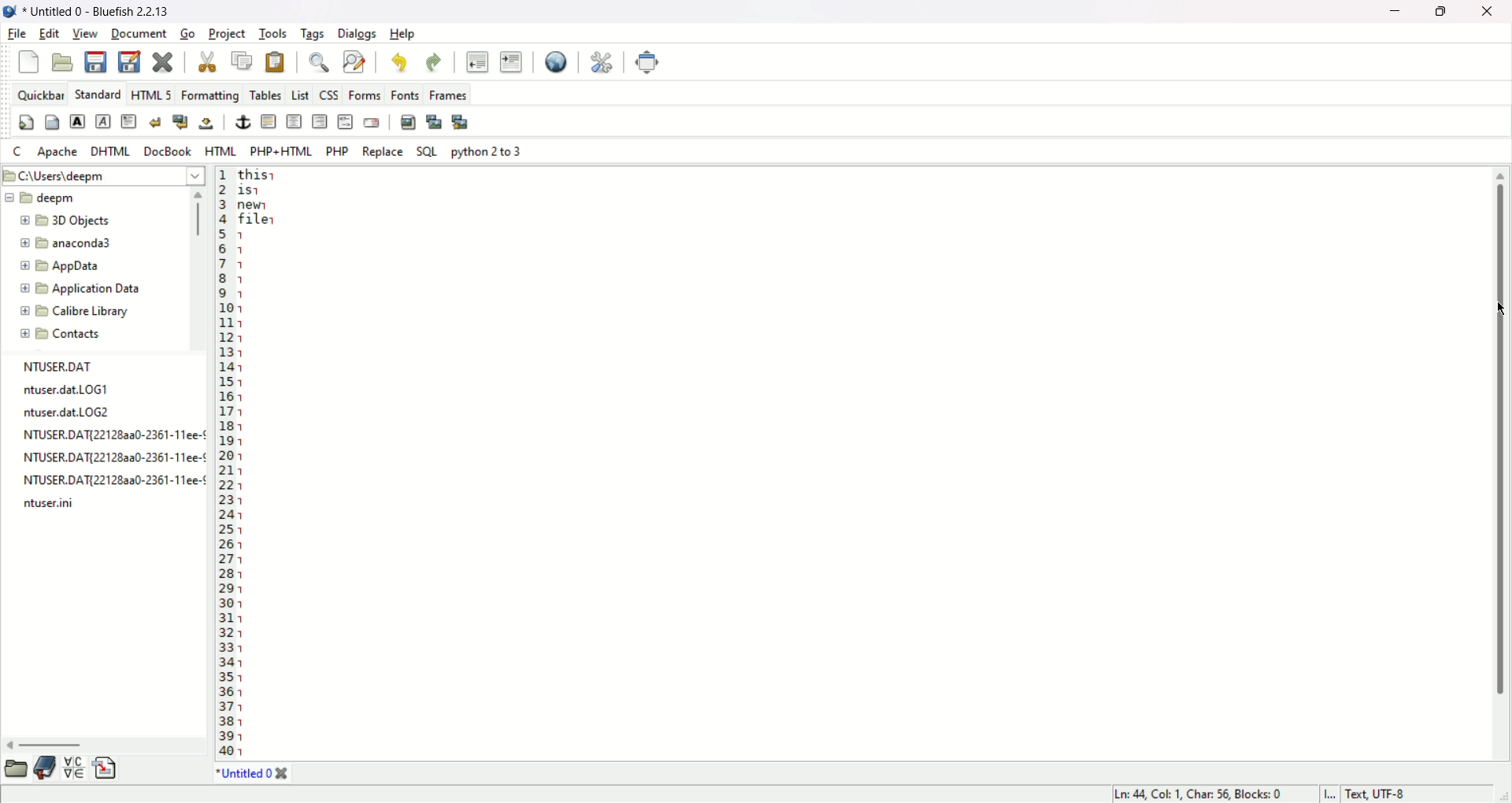  I want to click on insert image, so click(407, 121).